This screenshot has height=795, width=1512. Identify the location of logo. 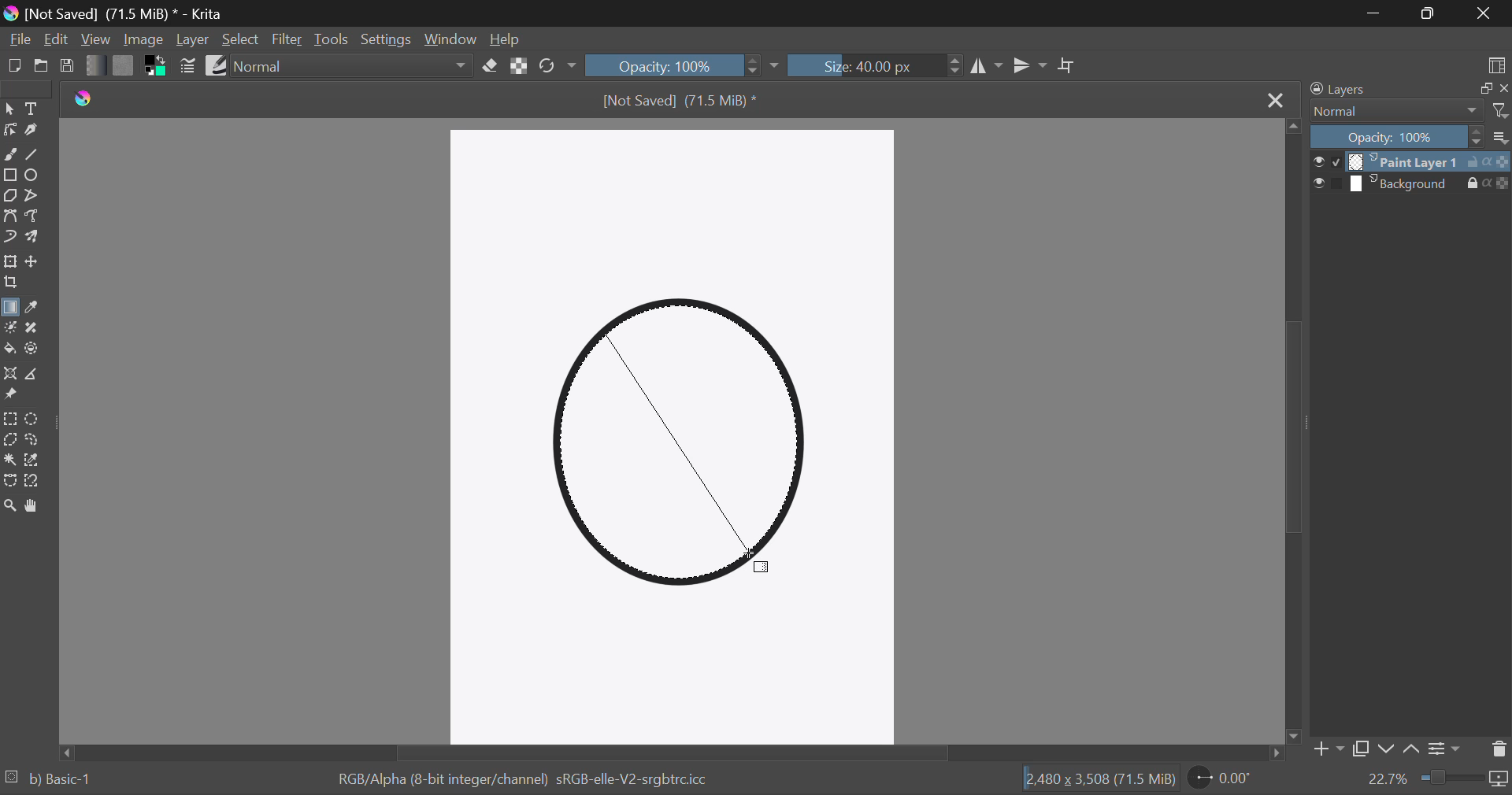
(83, 101).